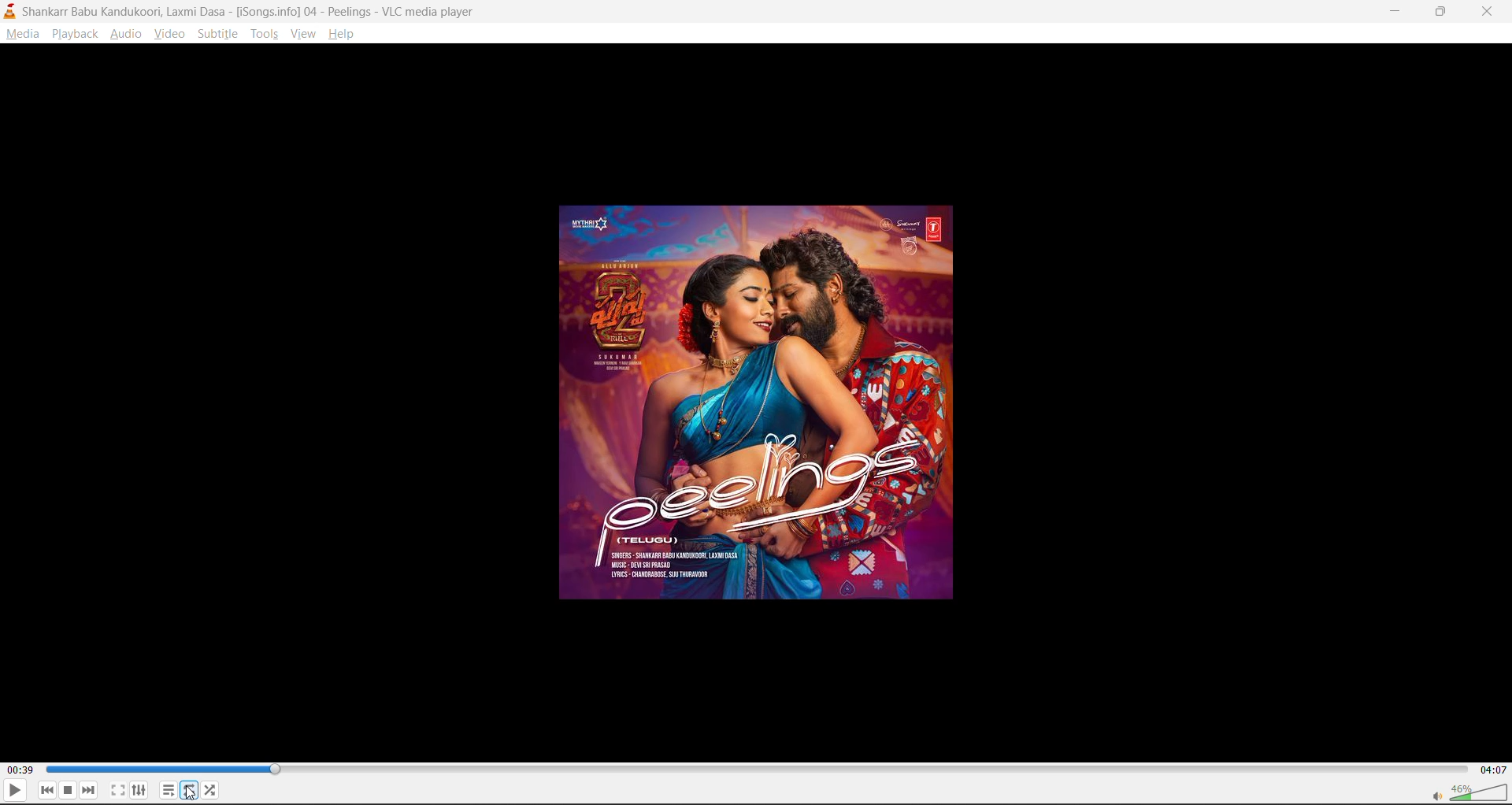 Image resolution: width=1512 pixels, height=805 pixels. Describe the element at coordinates (128, 35) in the screenshot. I see `audio` at that location.